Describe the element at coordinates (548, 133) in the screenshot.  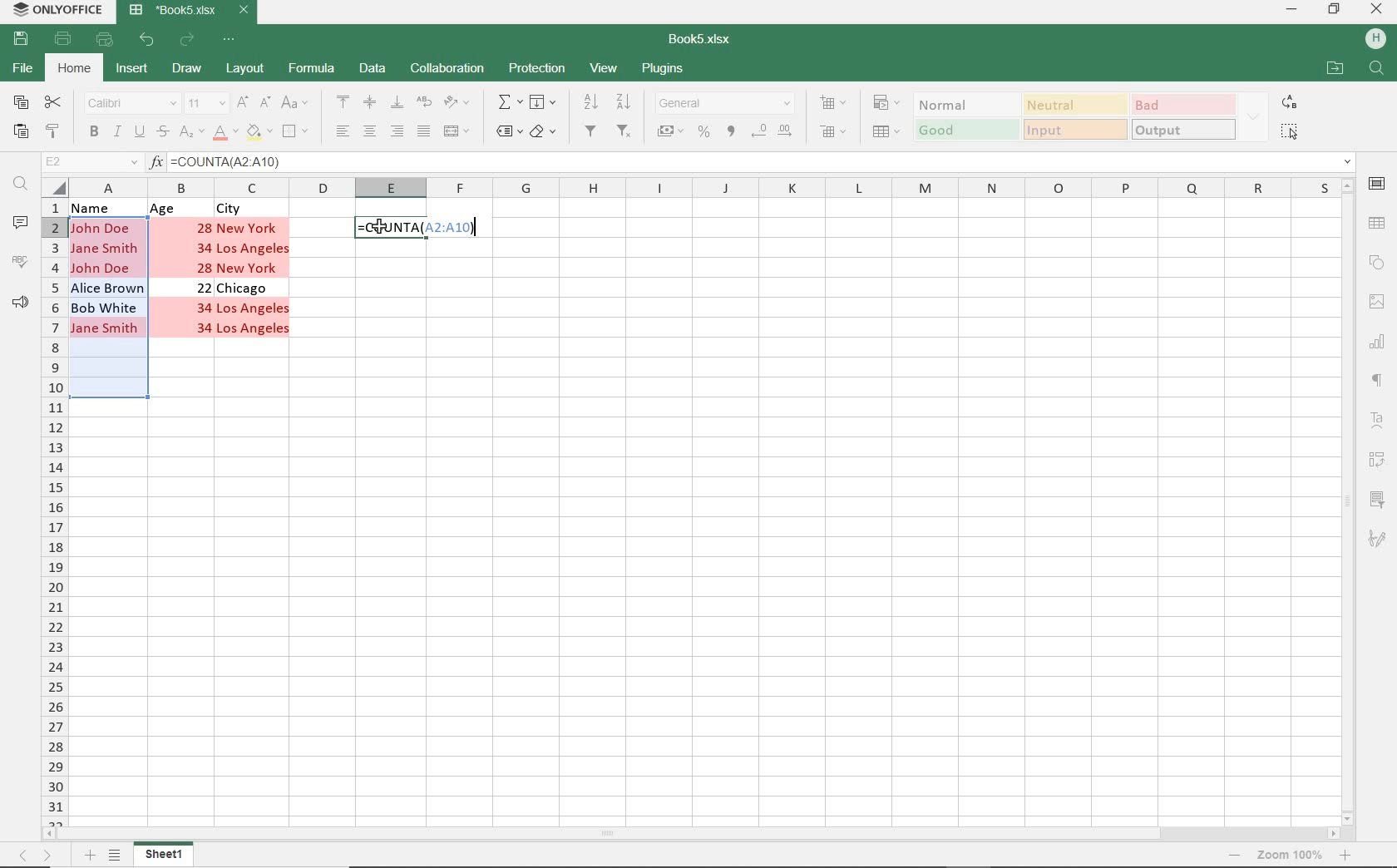
I see `CLEAR` at that location.